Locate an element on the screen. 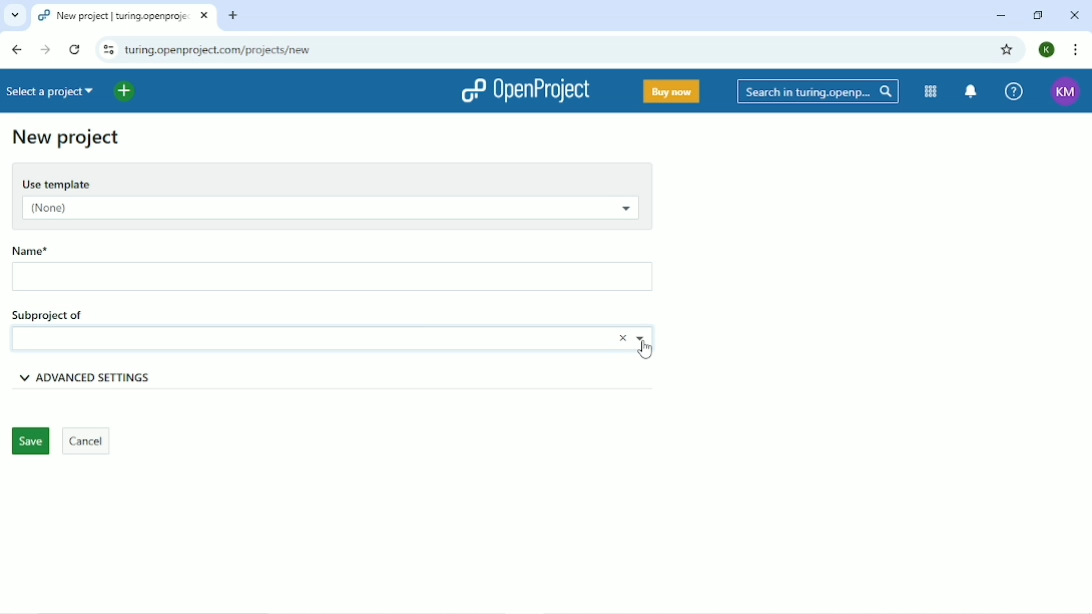 The width and height of the screenshot is (1092, 614). Name box is located at coordinates (335, 278).